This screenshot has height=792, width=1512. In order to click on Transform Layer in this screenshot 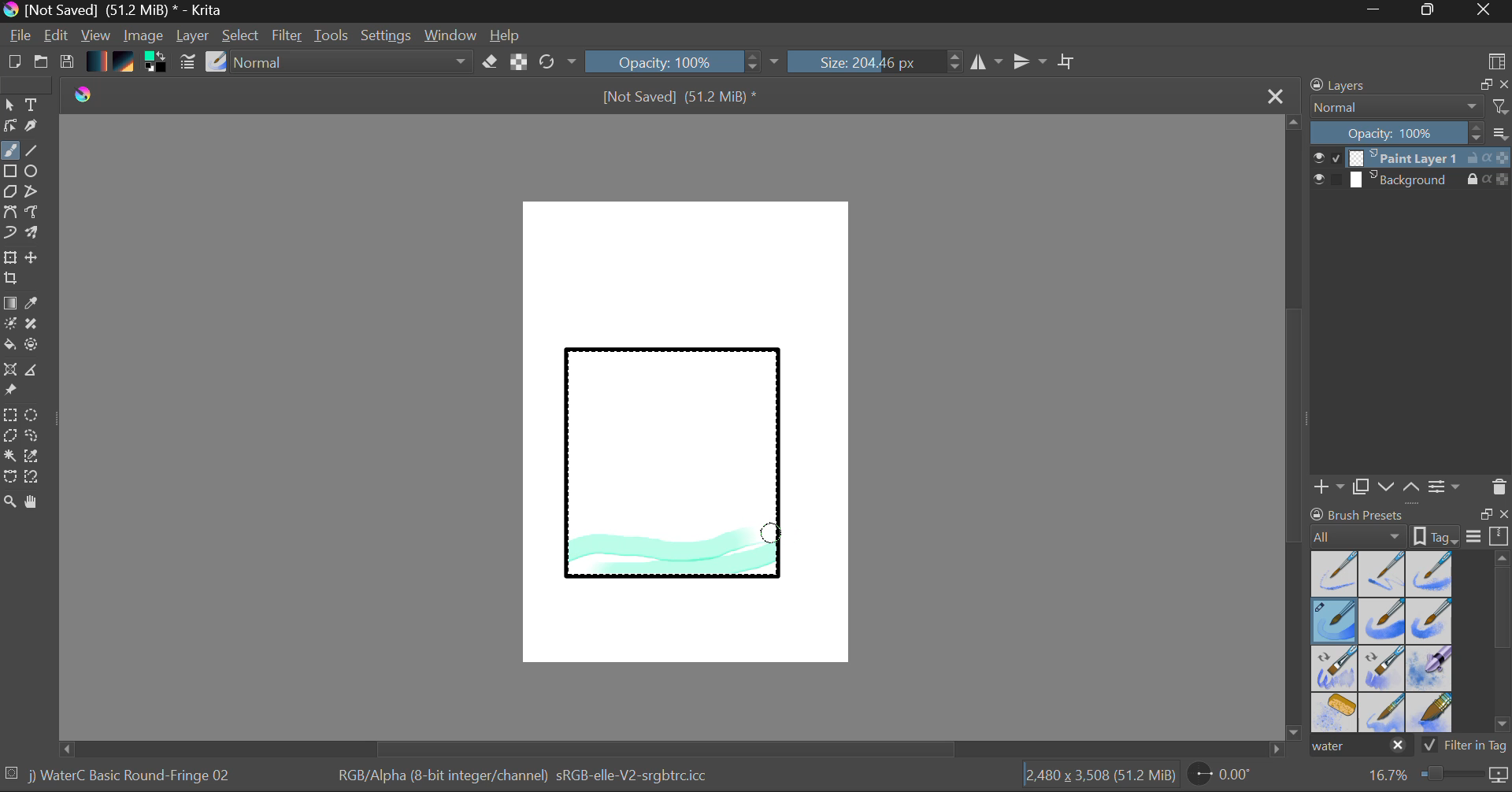, I will do `click(9, 256)`.